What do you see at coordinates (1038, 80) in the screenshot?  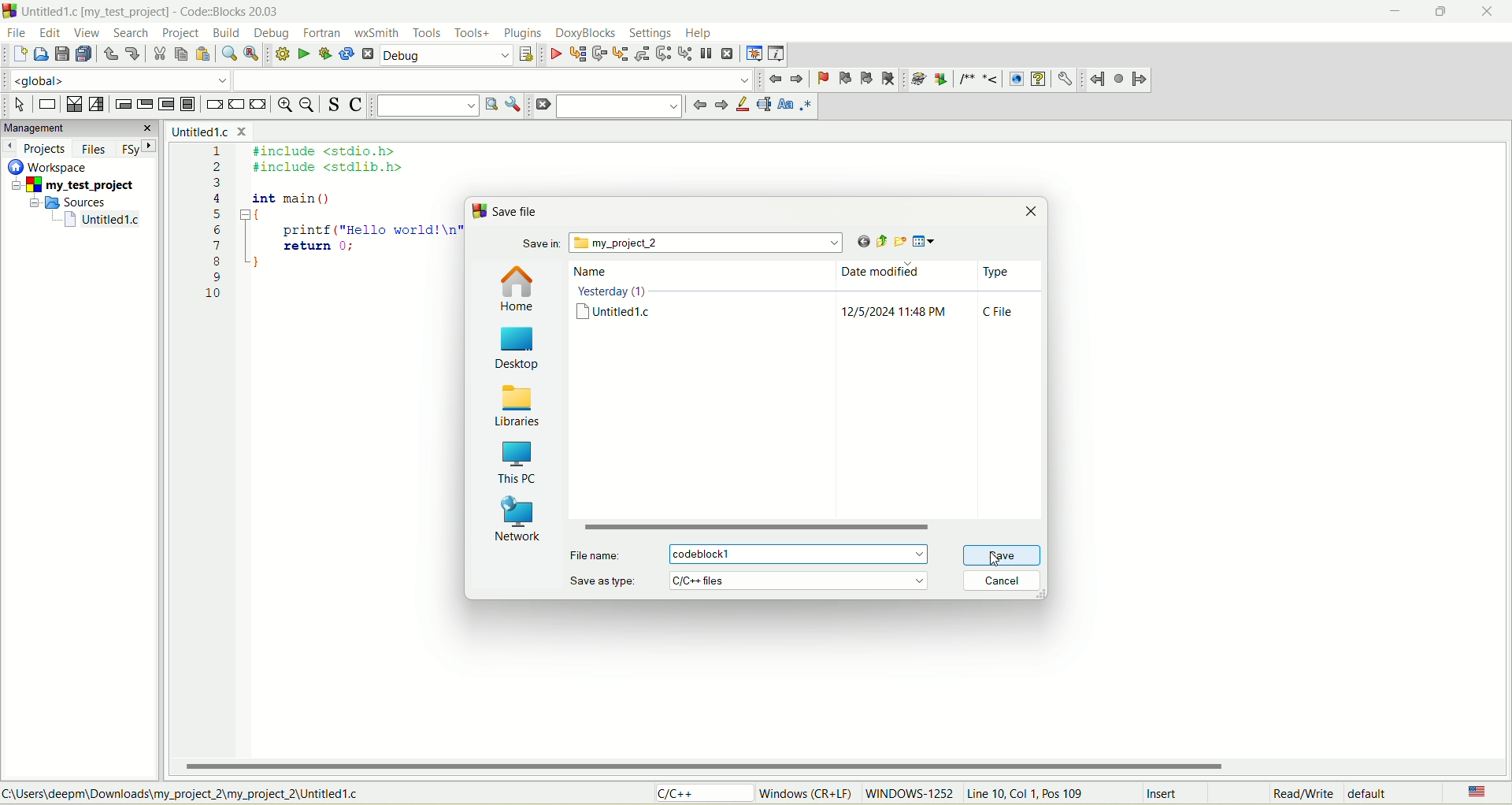 I see `CHM` at bounding box center [1038, 80].